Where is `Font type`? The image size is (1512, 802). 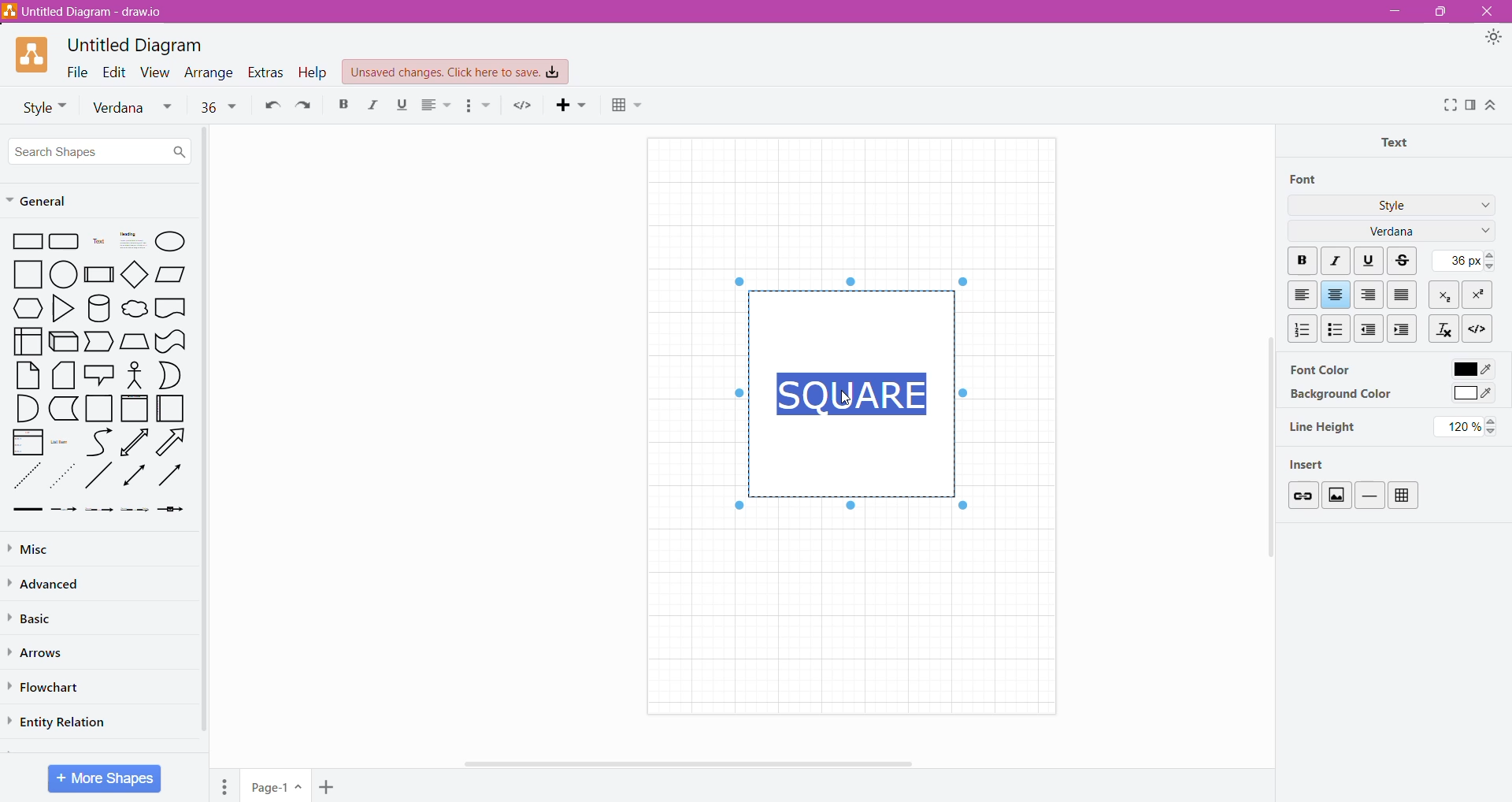
Font type is located at coordinates (136, 108).